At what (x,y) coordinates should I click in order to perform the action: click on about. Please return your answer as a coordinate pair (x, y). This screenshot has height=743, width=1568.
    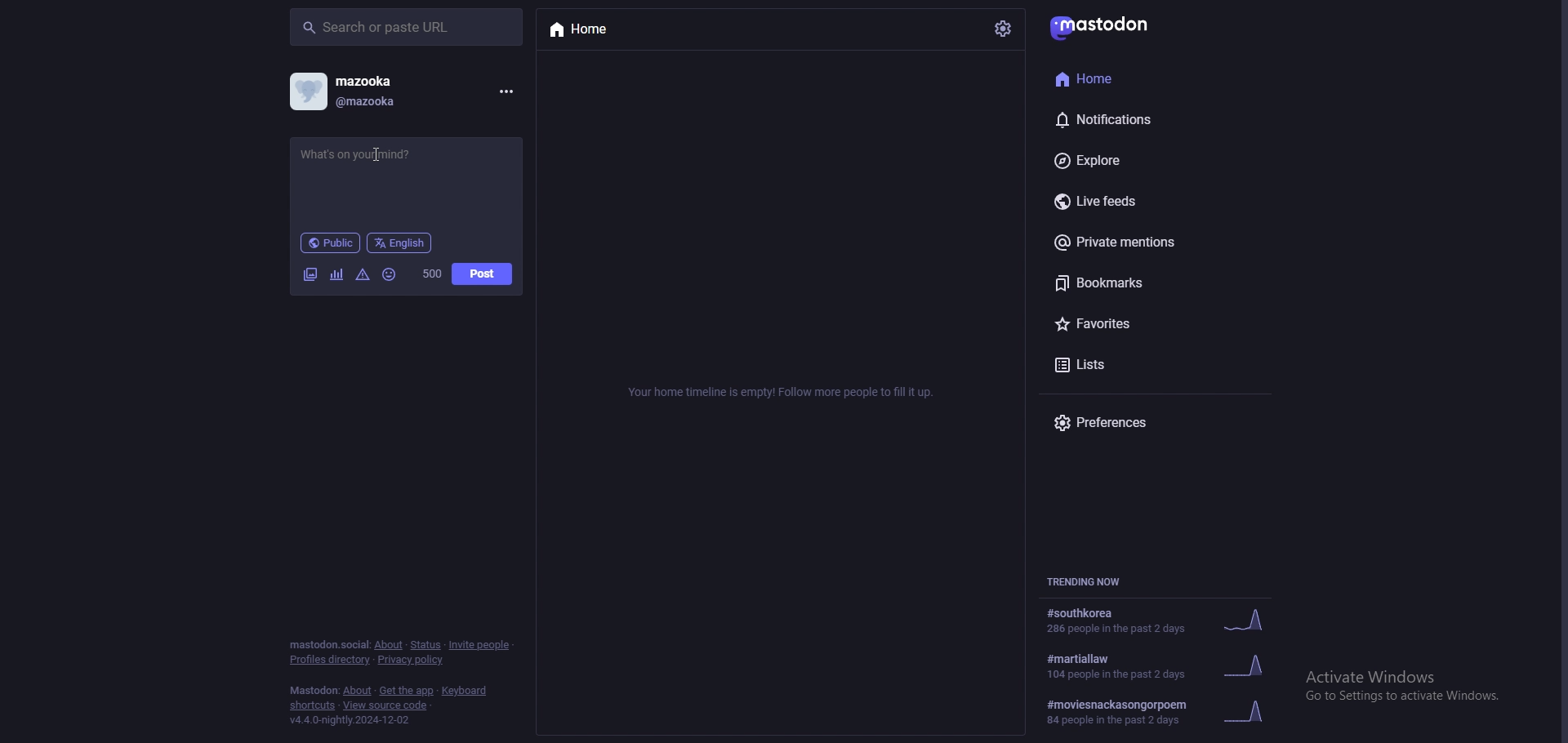
    Looking at the image, I should click on (390, 644).